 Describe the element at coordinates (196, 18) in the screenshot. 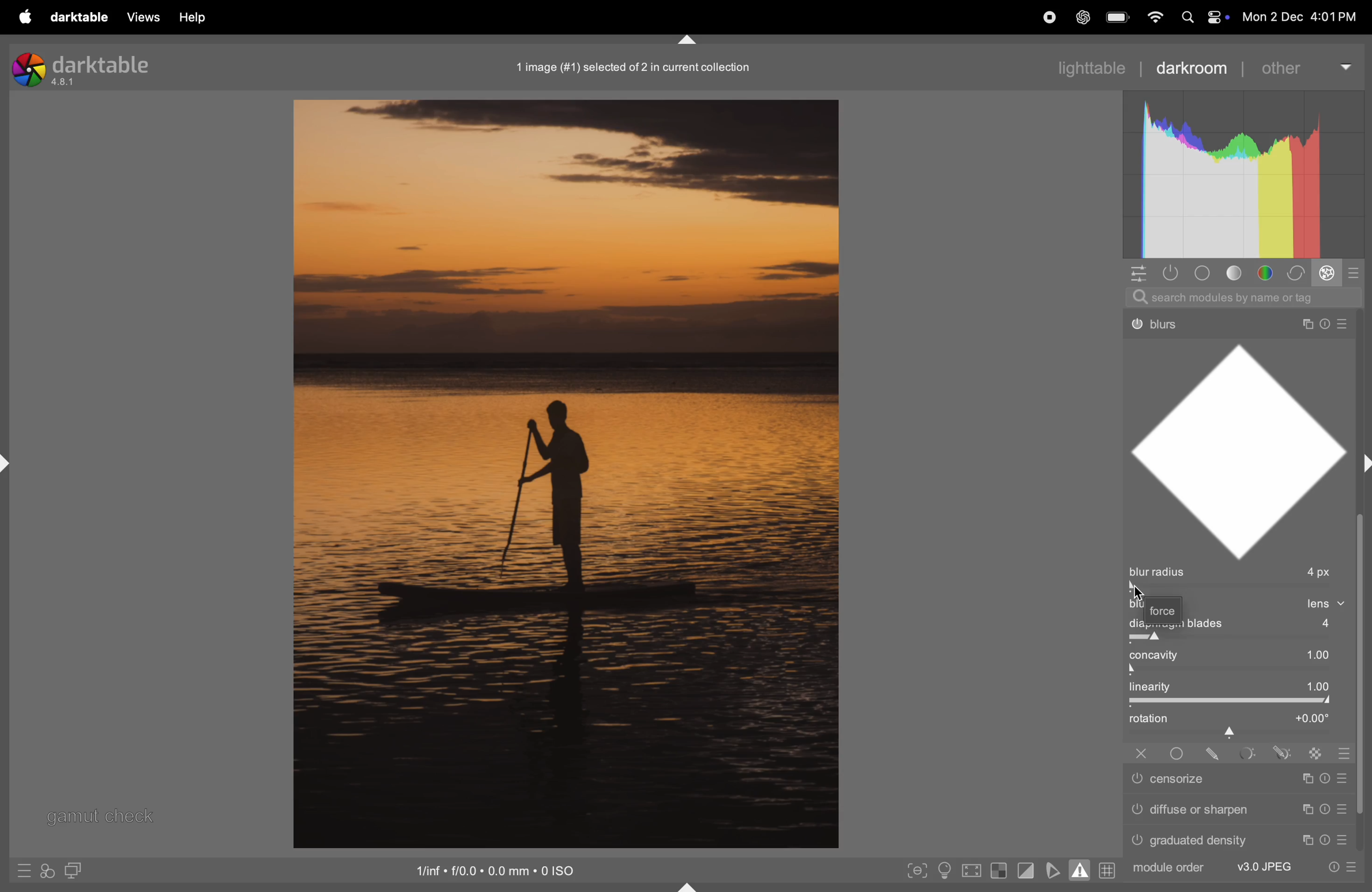

I see `help` at that location.